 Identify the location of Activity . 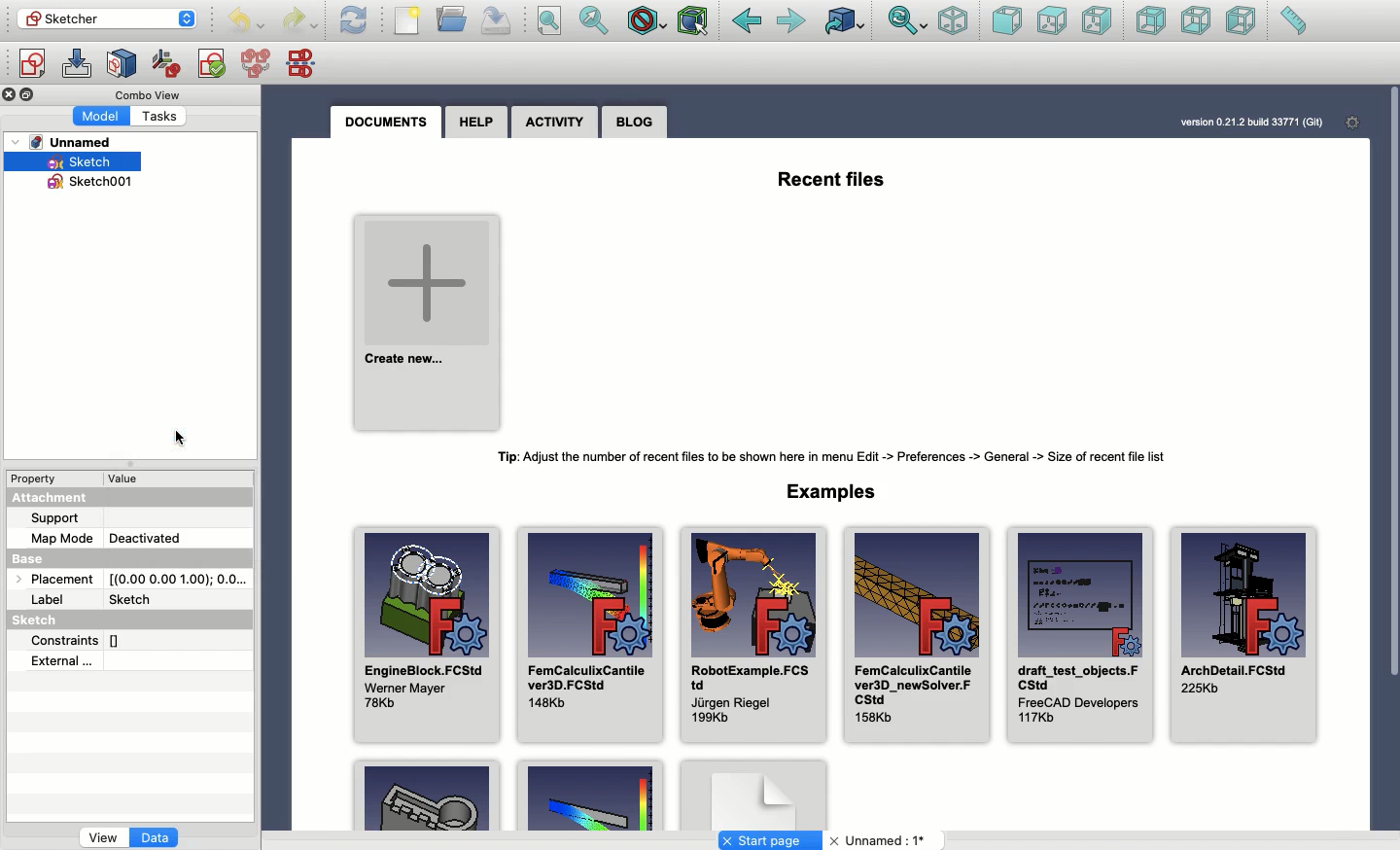
(554, 124).